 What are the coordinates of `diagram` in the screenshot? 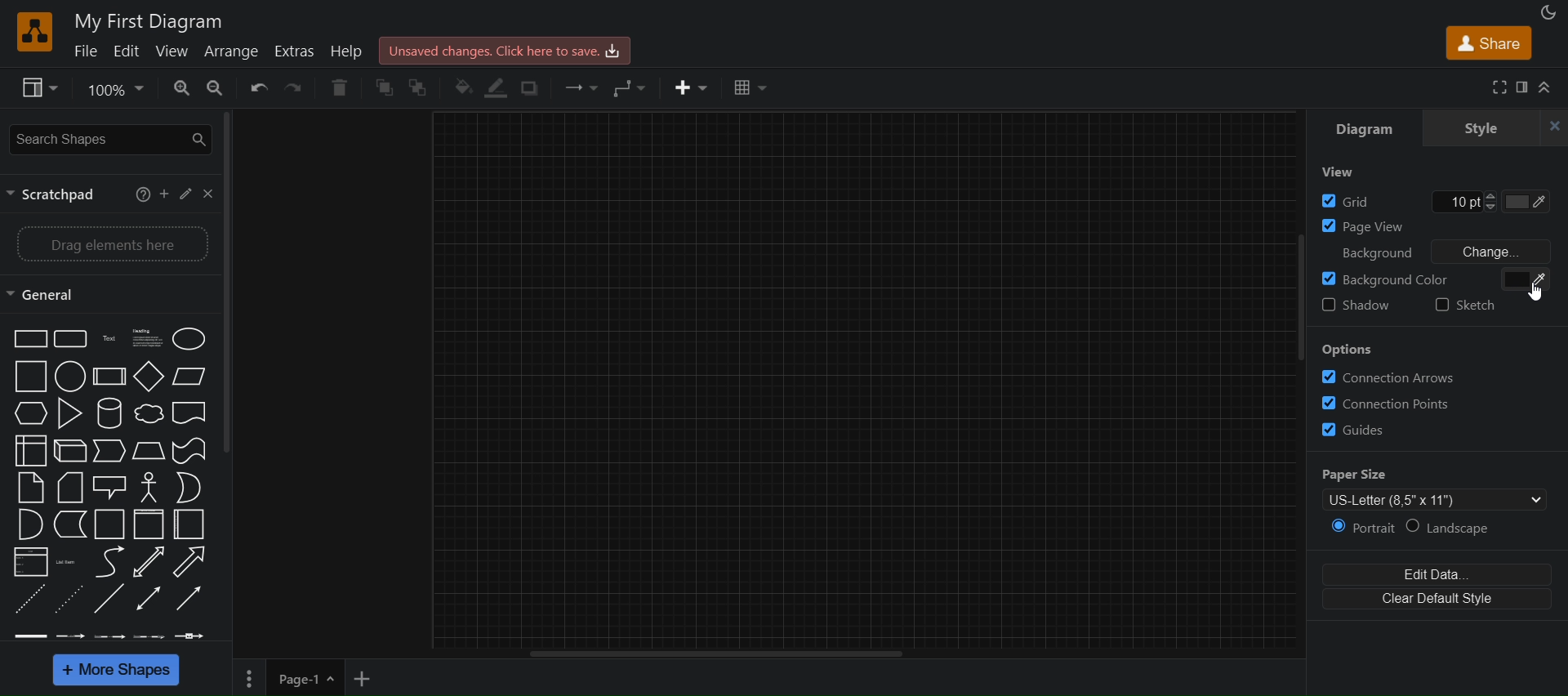 It's located at (1365, 125).